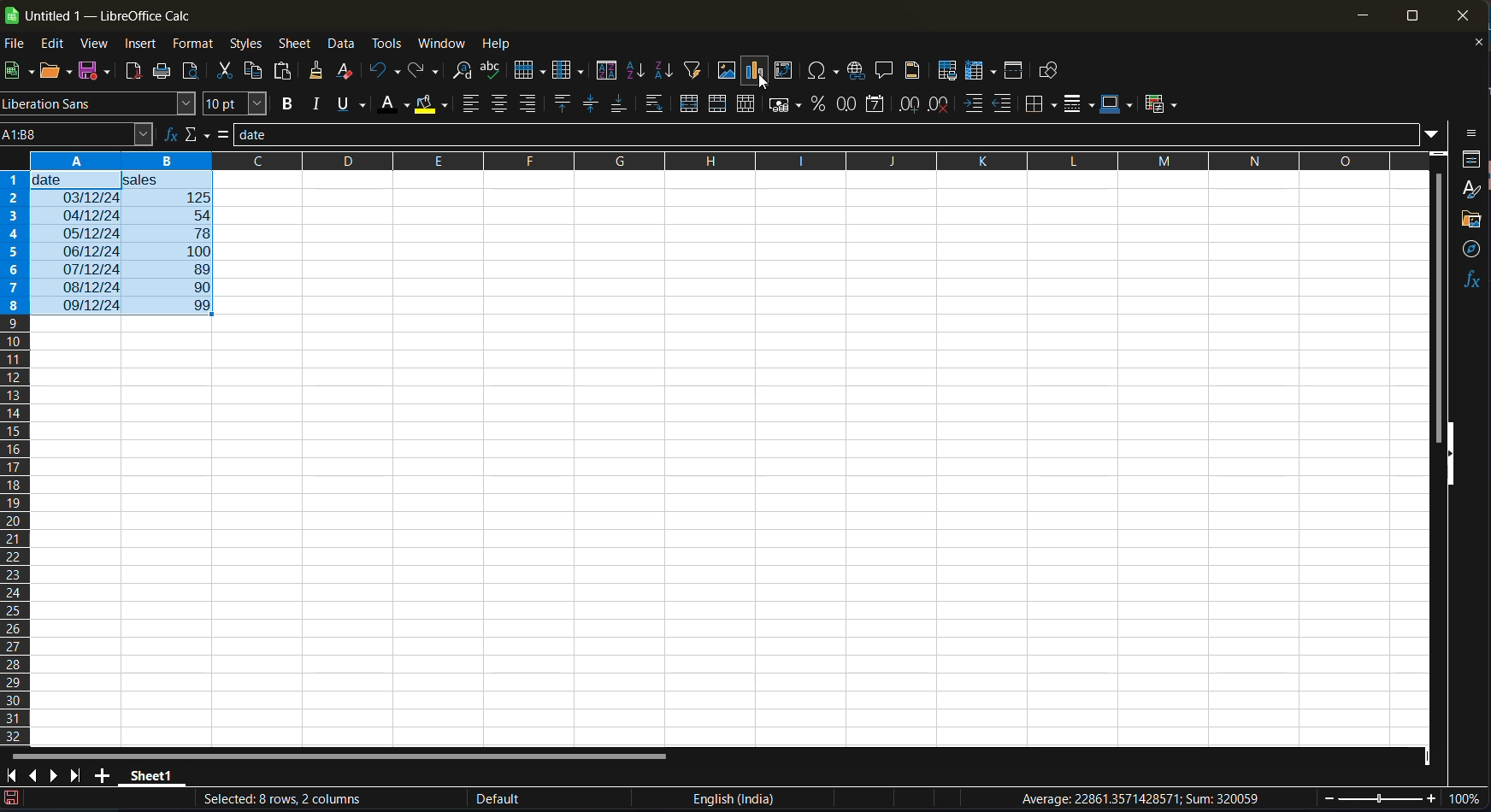  What do you see at coordinates (1439, 293) in the screenshot?
I see `vertical scroll bar` at bounding box center [1439, 293].